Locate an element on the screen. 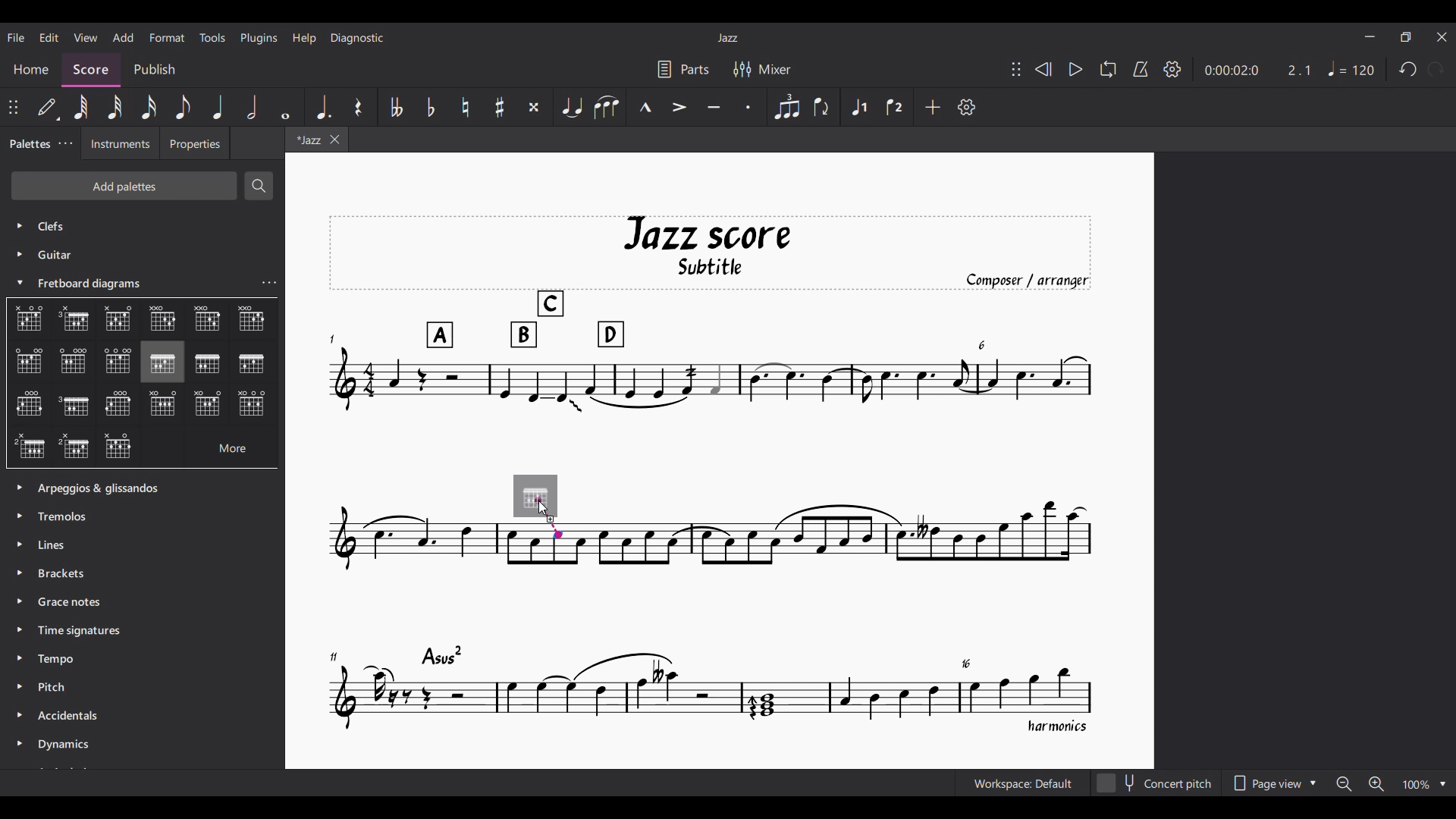 The width and height of the screenshot is (1456, 819). 8th note is located at coordinates (183, 107).